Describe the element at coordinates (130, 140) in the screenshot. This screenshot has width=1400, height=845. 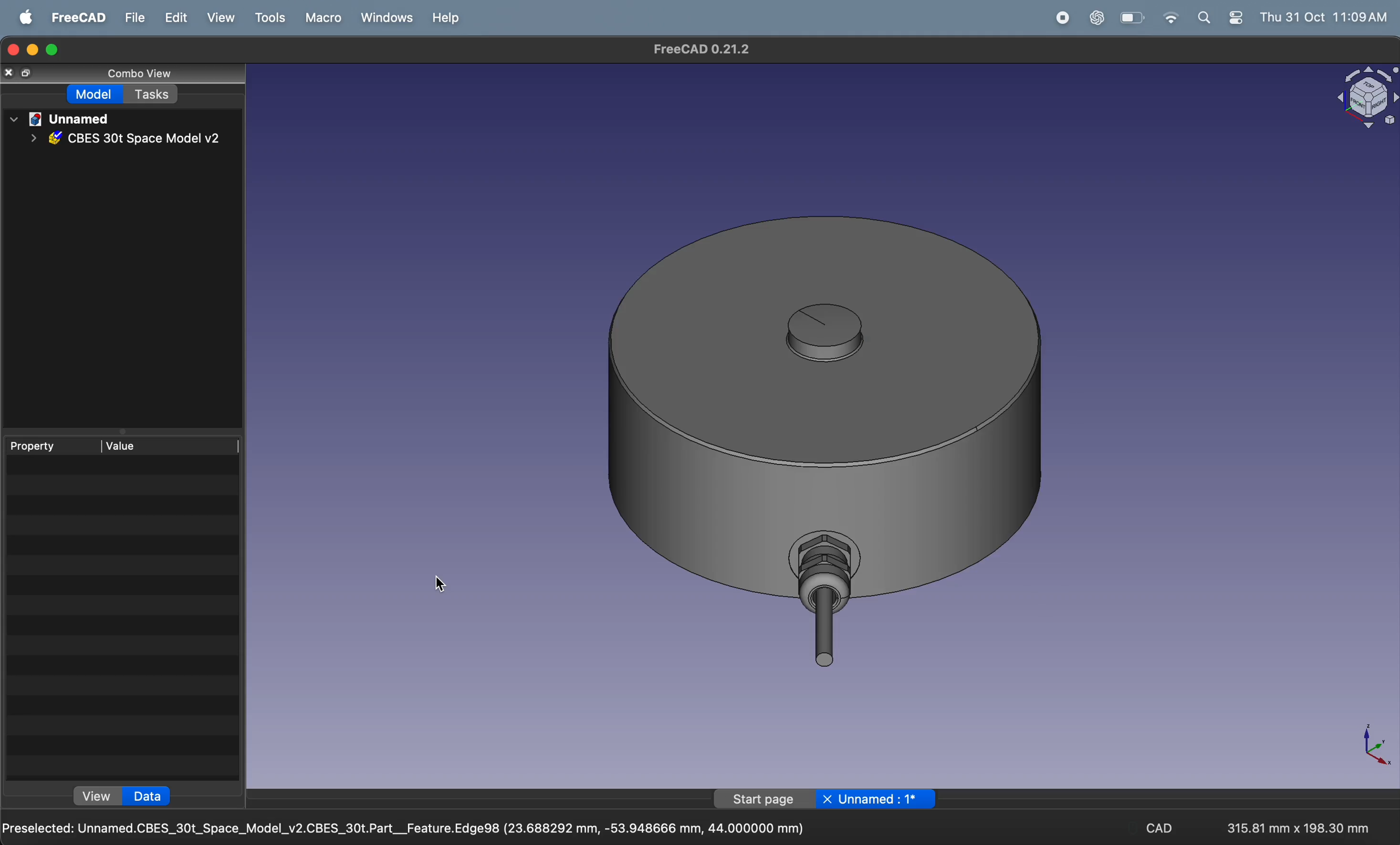
I see `CBES 30t Space model` at that location.